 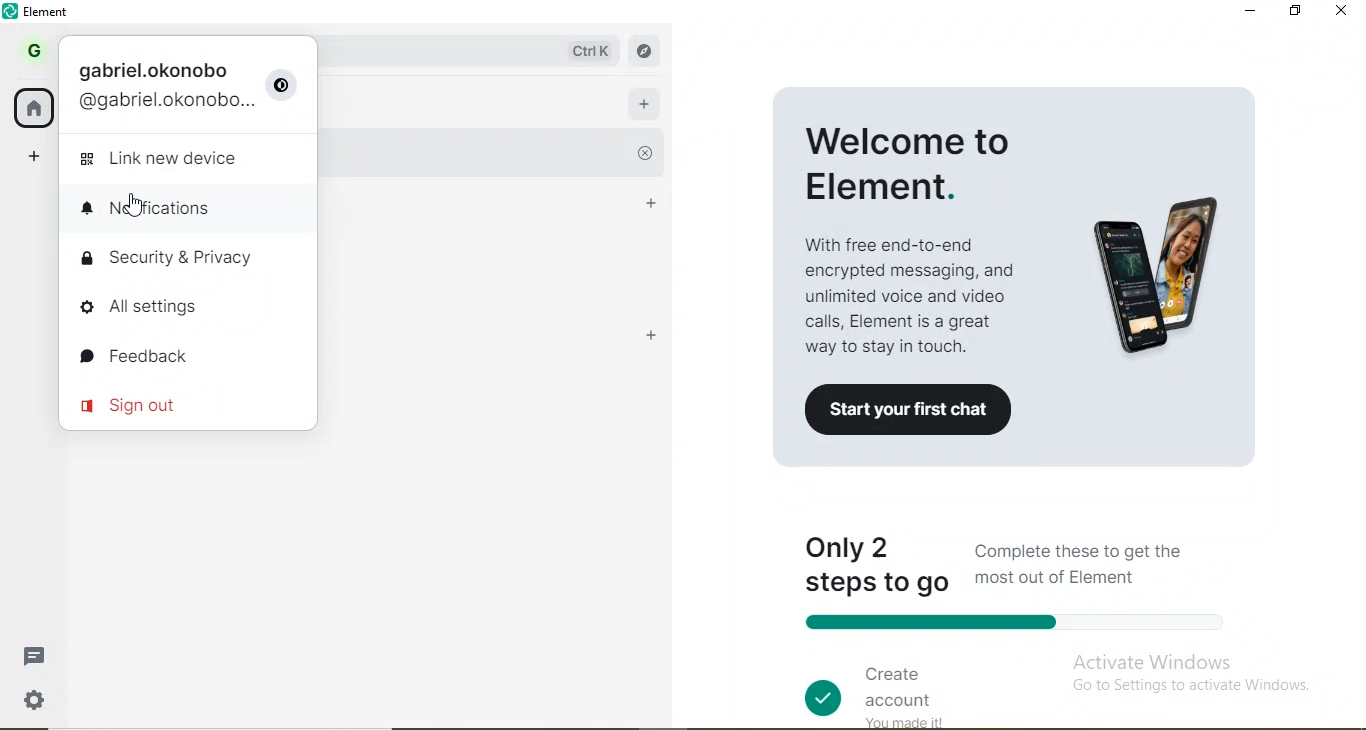 I want to click on start your first chat, so click(x=907, y=408).